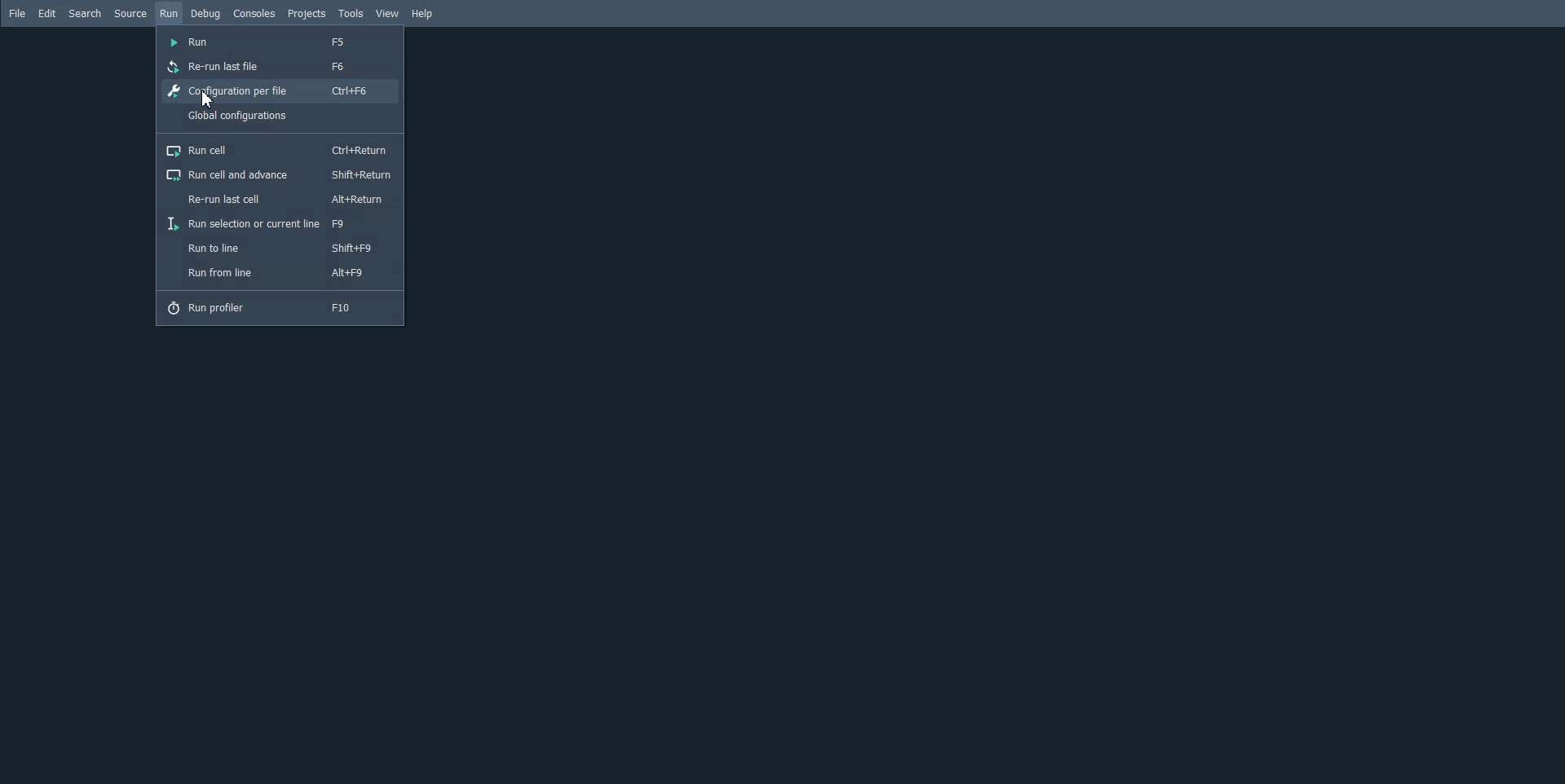 The image size is (1565, 784). Describe the element at coordinates (169, 14) in the screenshot. I see `Run` at that location.